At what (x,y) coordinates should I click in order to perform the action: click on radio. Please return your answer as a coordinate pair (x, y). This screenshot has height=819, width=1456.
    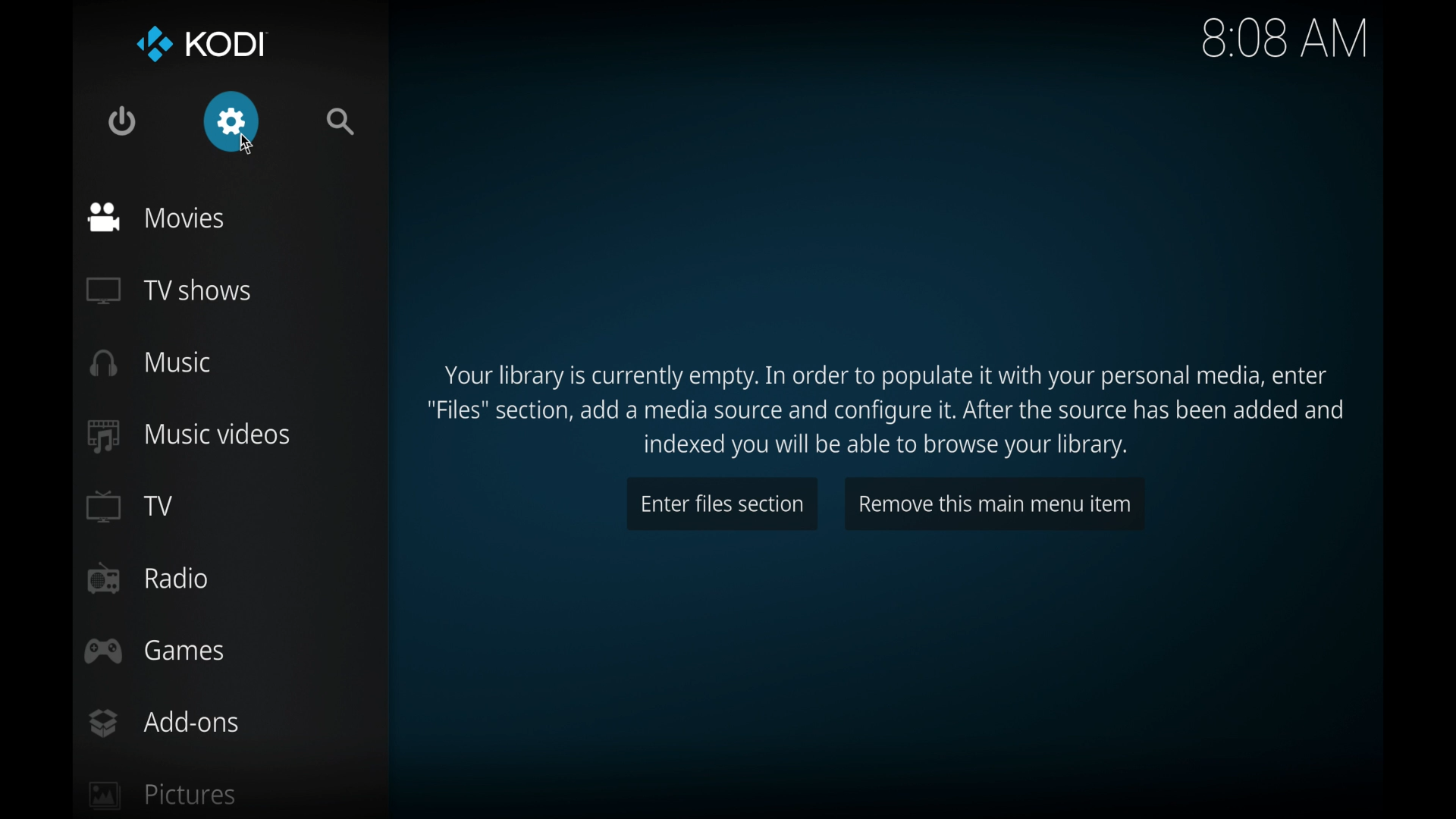
    Looking at the image, I should click on (149, 578).